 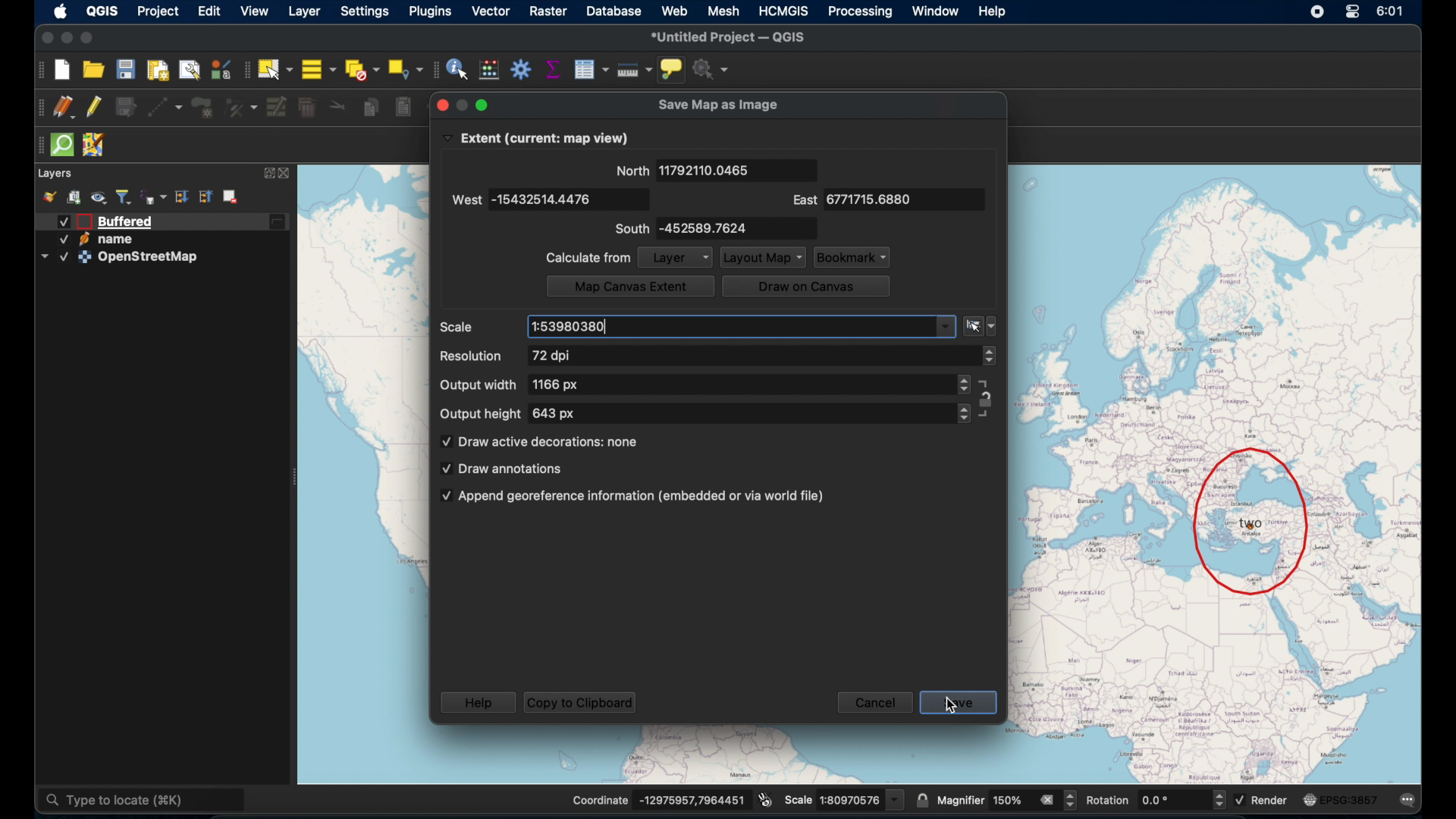 I want to click on 643 px, so click(x=557, y=413).